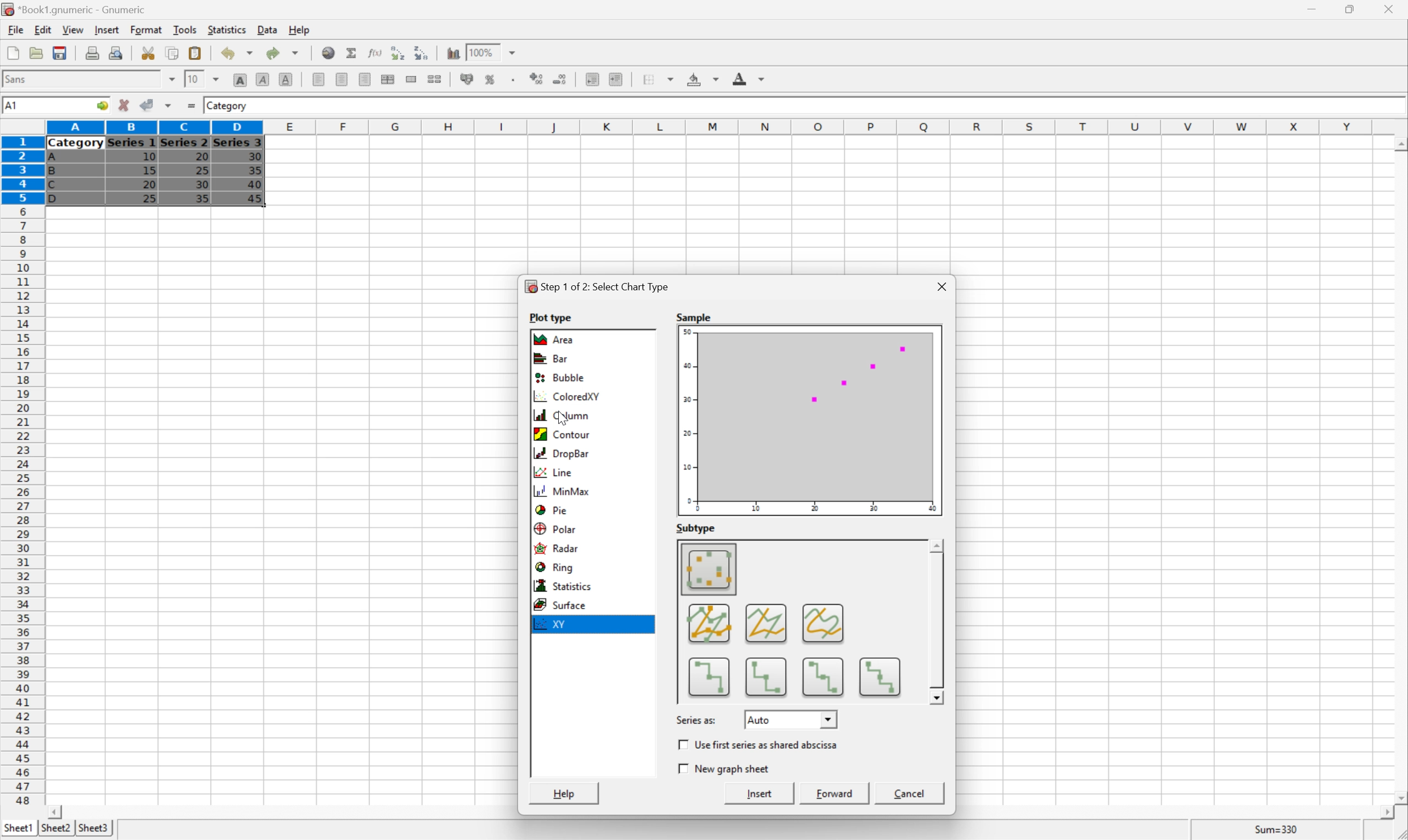 This screenshot has width=1408, height=840. What do you see at coordinates (343, 78) in the screenshot?
I see `Center horizontally` at bounding box center [343, 78].